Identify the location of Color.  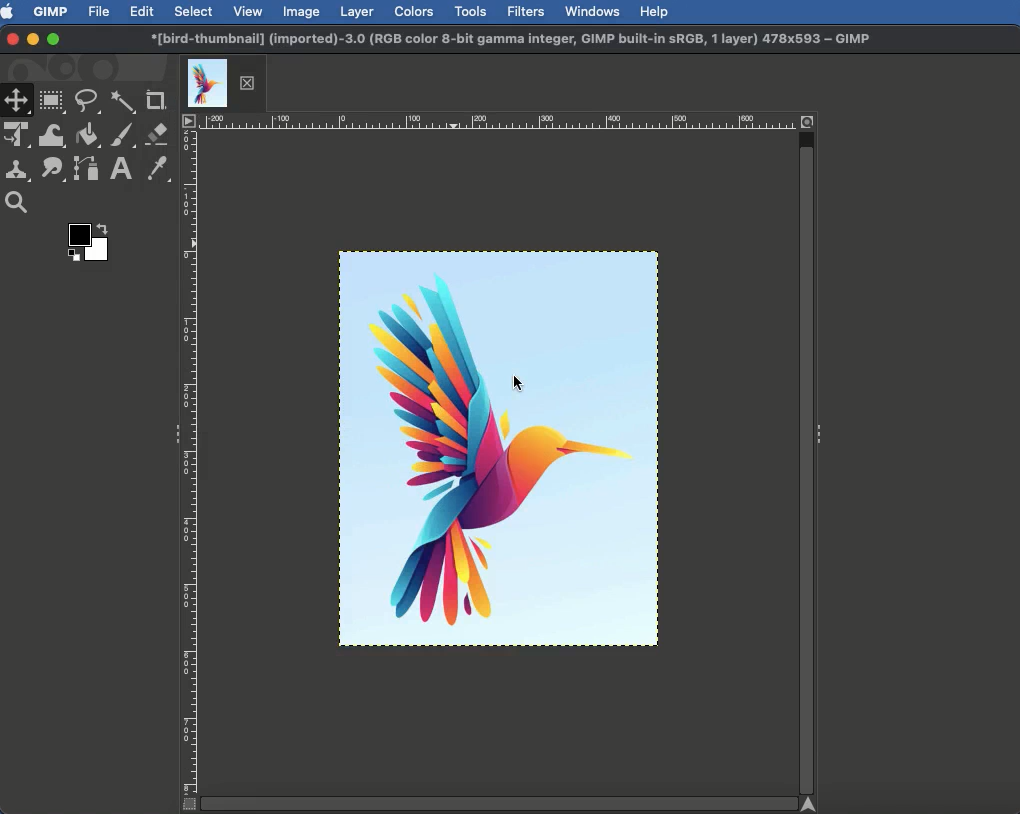
(84, 239).